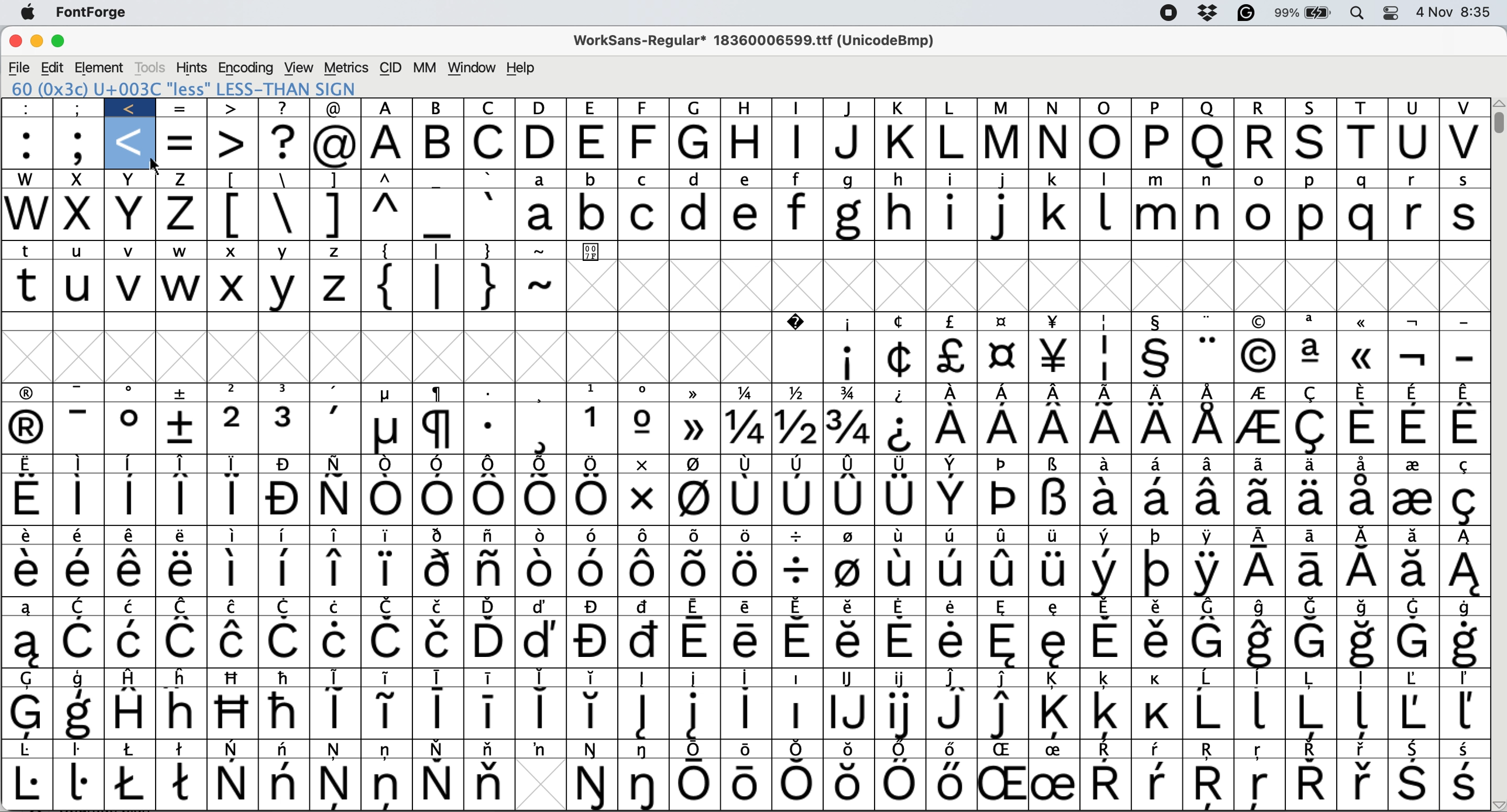 The height and width of the screenshot is (812, 1507). Describe the element at coordinates (12, 42) in the screenshot. I see `close` at that location.